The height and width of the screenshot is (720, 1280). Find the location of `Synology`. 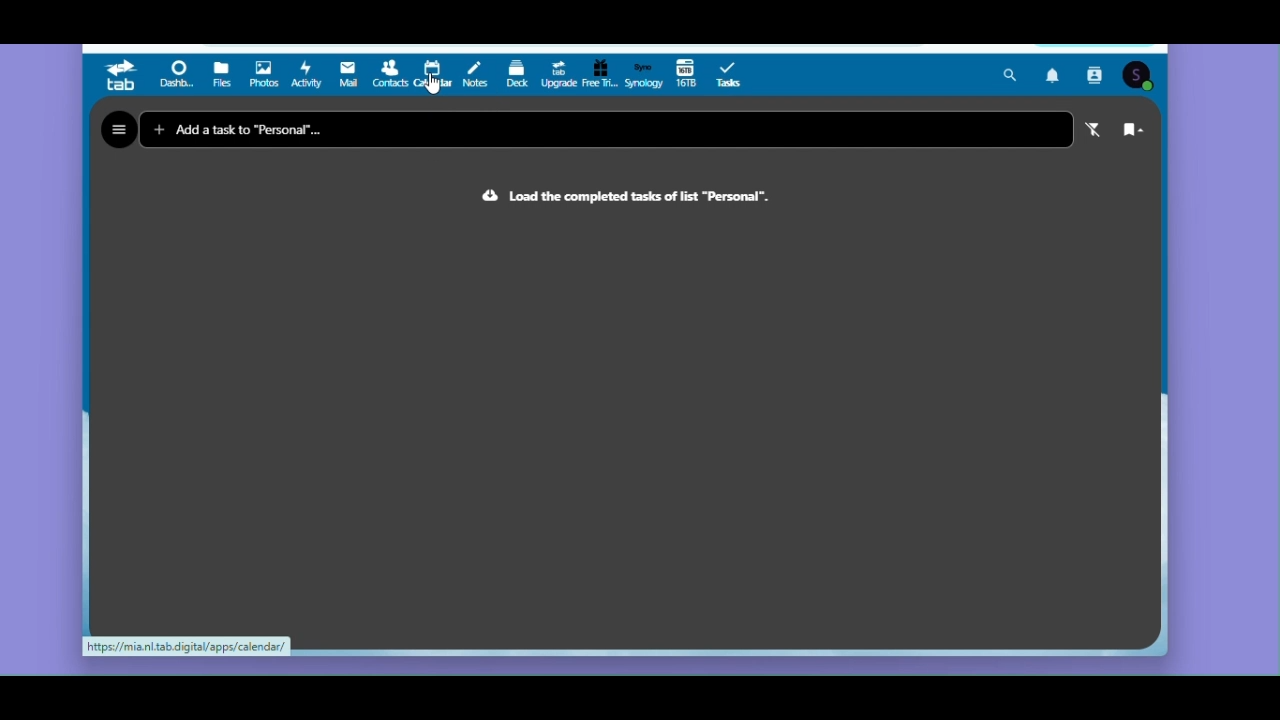

Synology is located at coordinates (643, 74).